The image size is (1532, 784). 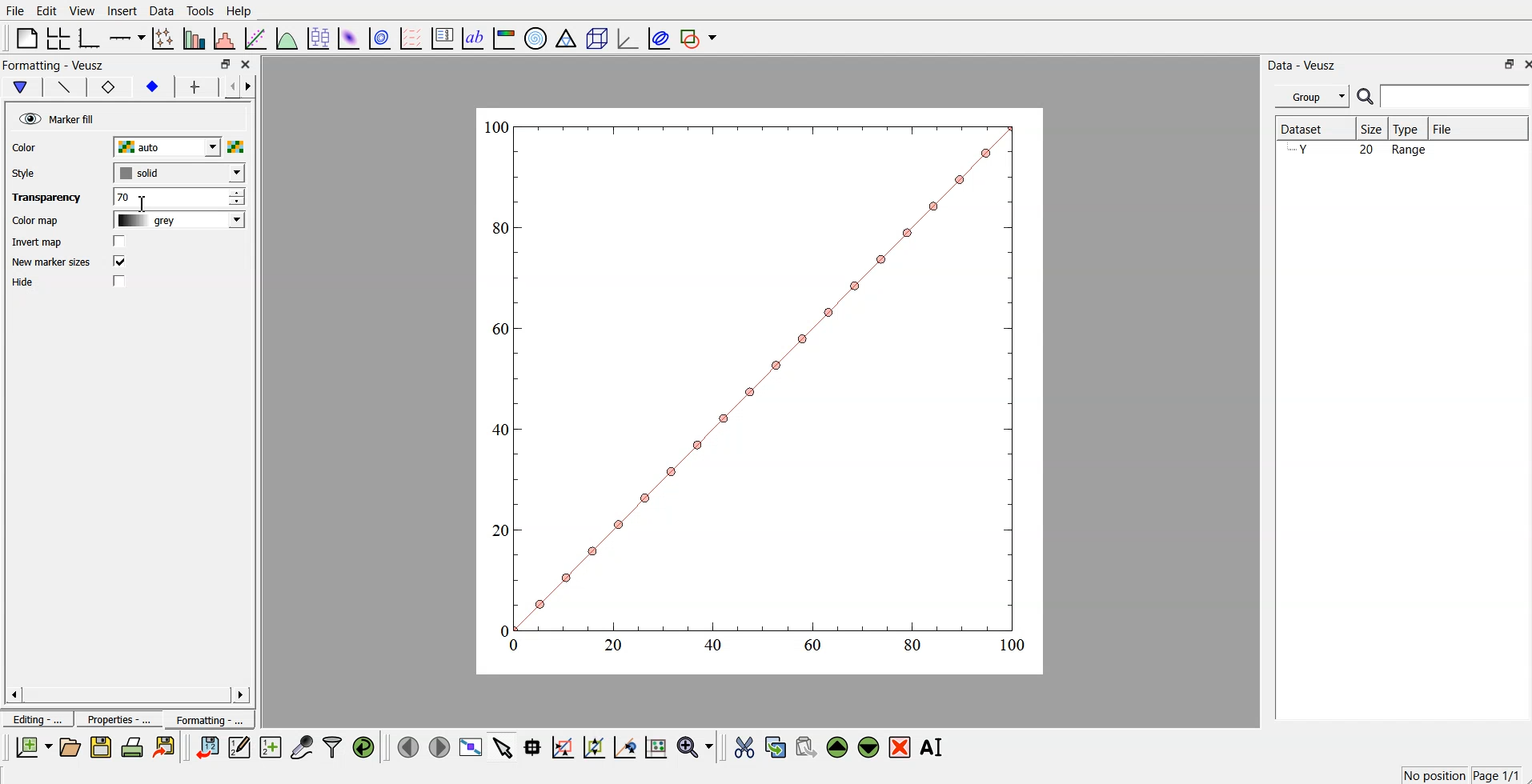 I want to click on Type, so click(x=1410, y=129).